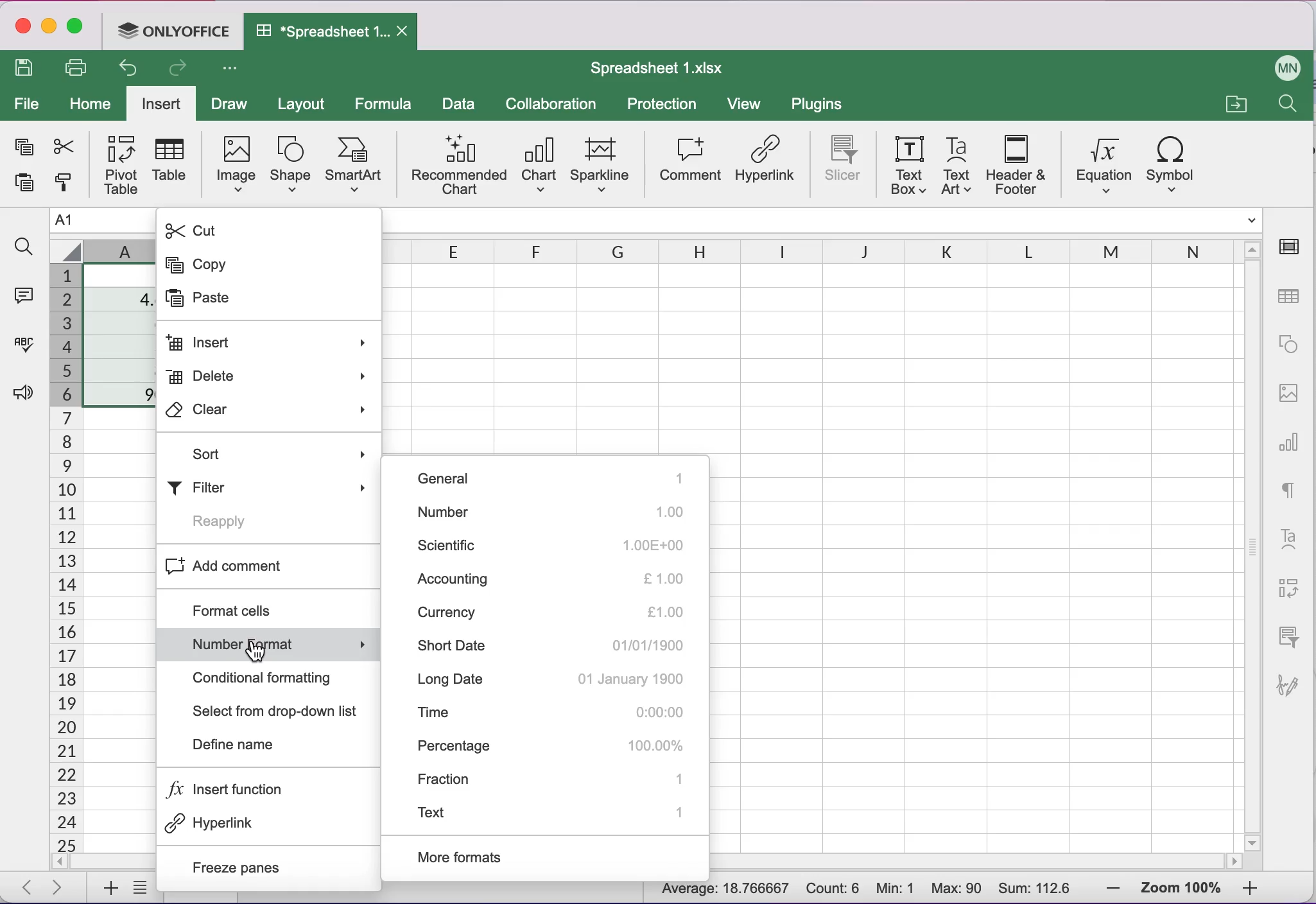 This screenshot has width=1316, height=904. Describe the element at coordinates (550, 745) in the screenshot. I see `percentage` at that location.